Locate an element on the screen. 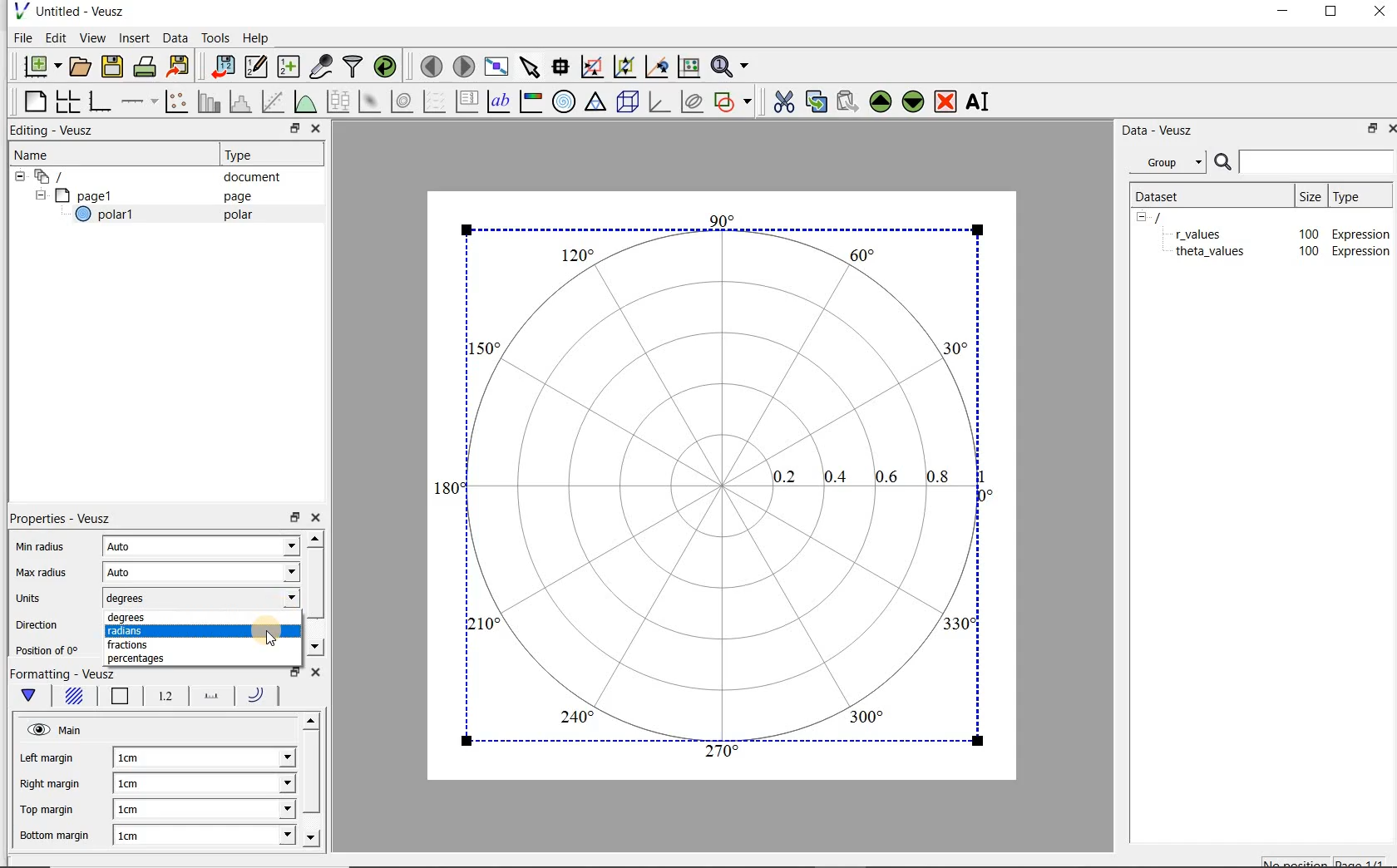 This screenshot has width=1397, height=868. restore down is located at coordinates (289, 515).